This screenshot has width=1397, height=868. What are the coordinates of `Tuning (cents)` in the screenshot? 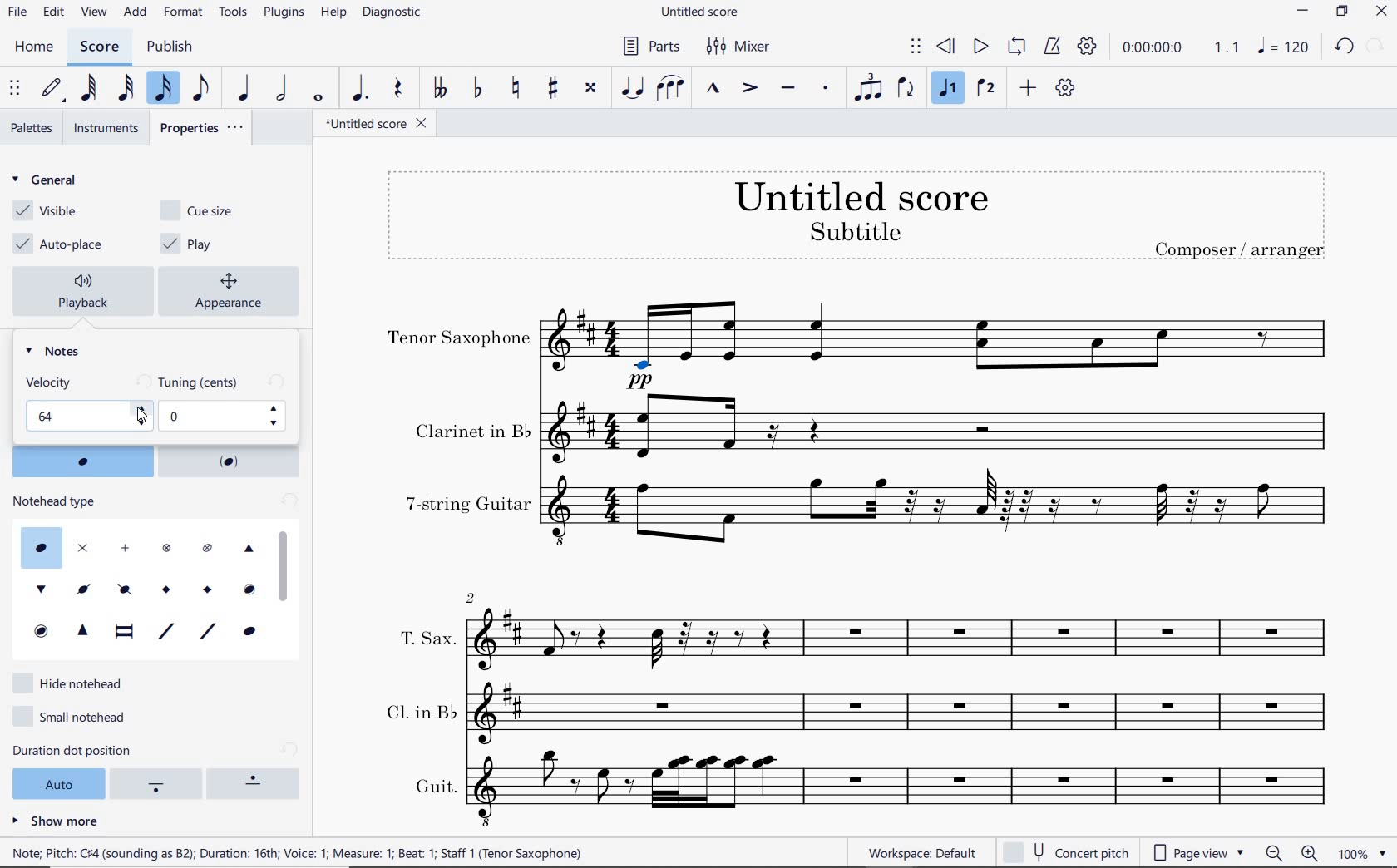 It's located at (212, 417).